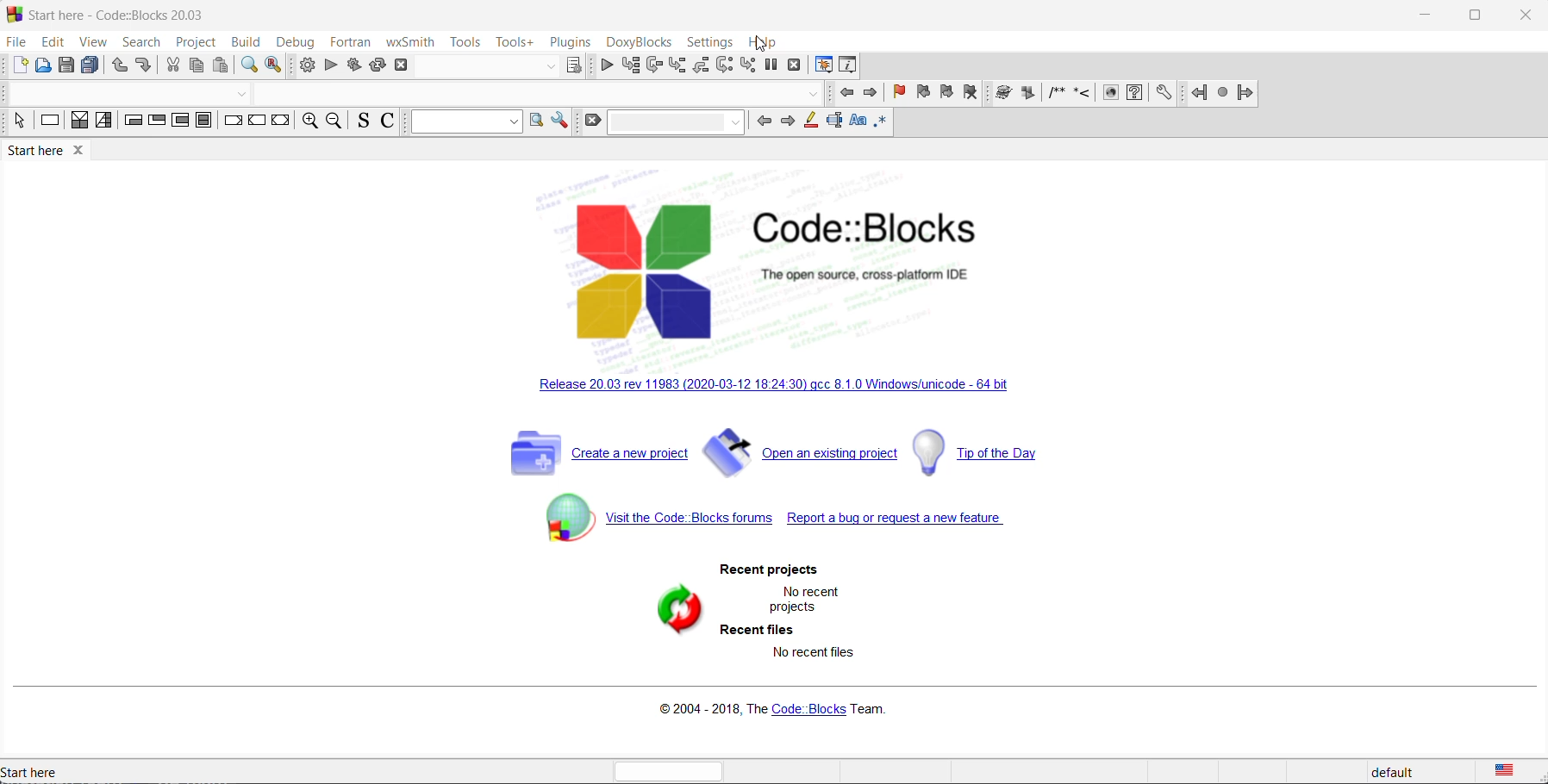  I want to click on settings, so click(708, 40).